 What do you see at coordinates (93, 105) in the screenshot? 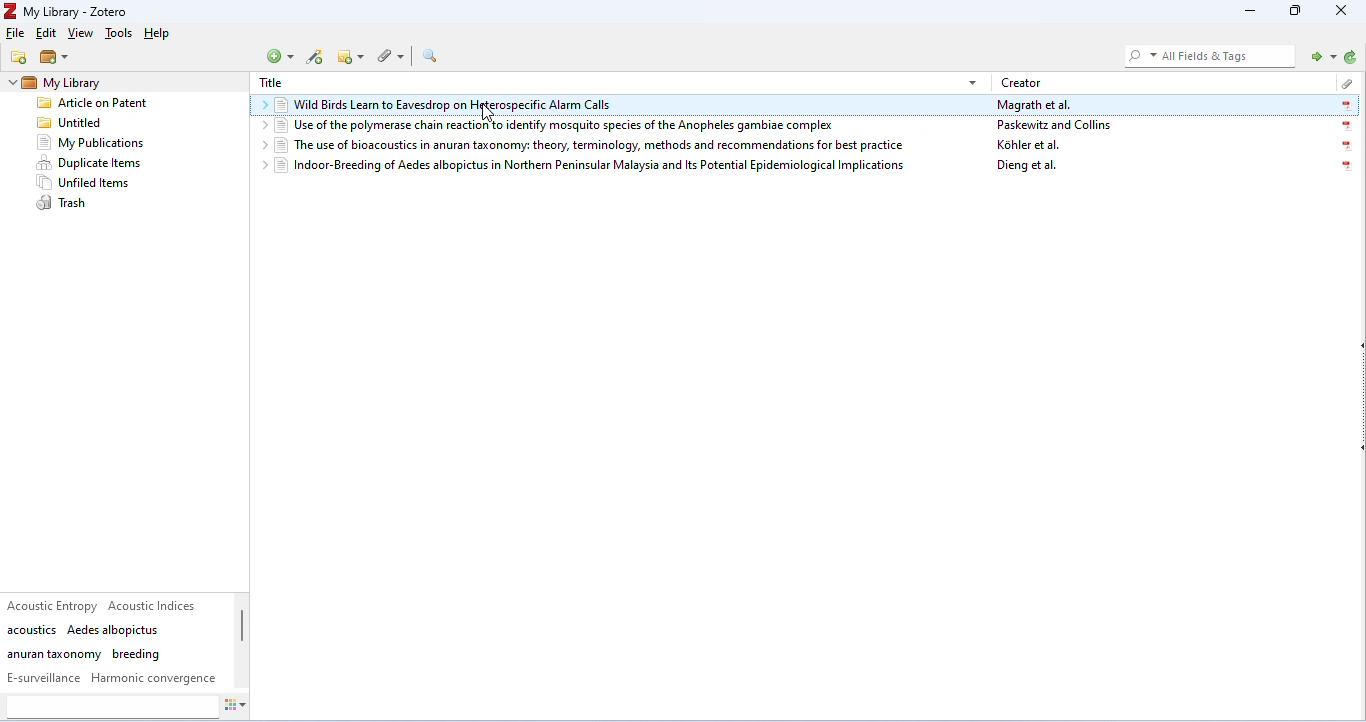
I see `article on patent` at bounding box center [93, 105].